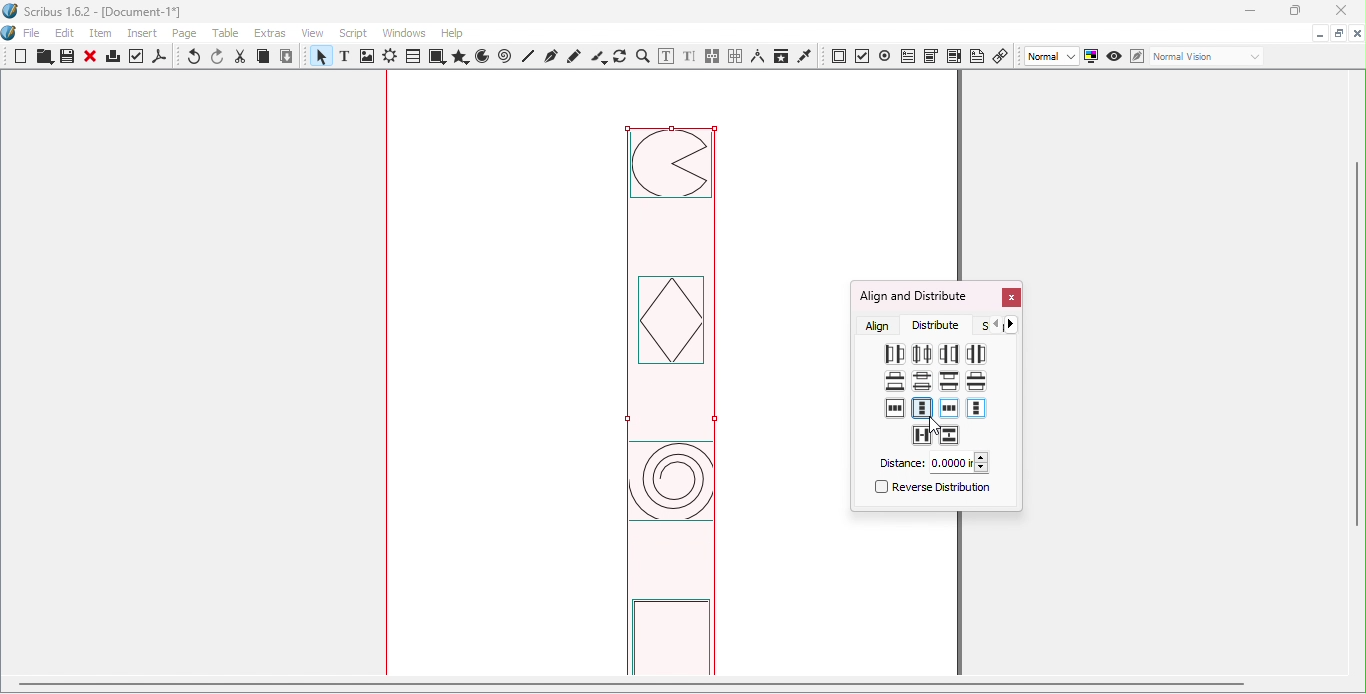 The width and height of the screenshot is (1366, 694). Describe the element at coordinates (921, 353) in the screenshot. I see `Distribute centers equidistantly horizontally` at that location.